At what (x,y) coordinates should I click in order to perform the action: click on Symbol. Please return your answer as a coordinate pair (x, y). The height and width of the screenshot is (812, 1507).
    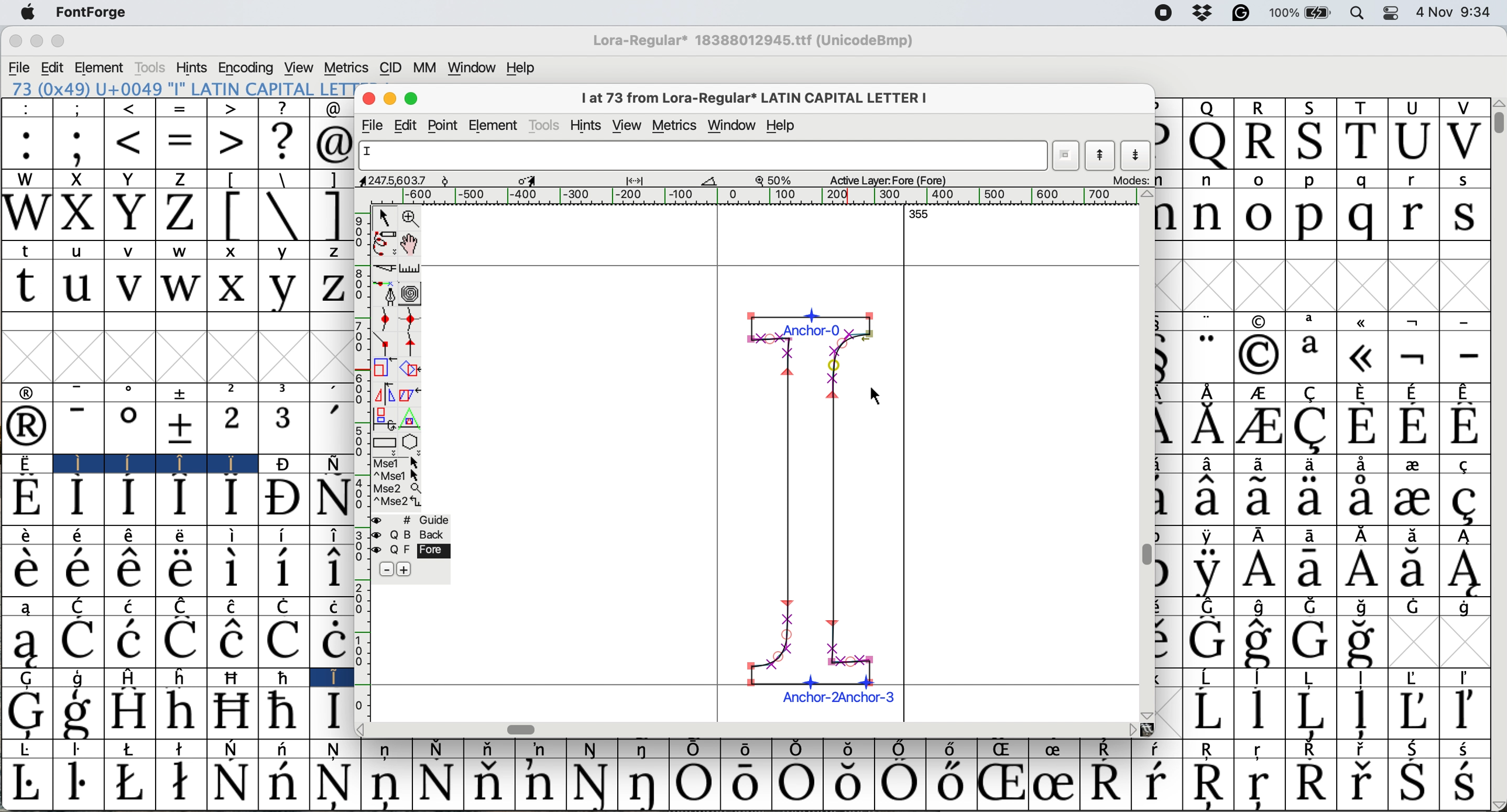
    Looking at the image, I should click on (235, 605).